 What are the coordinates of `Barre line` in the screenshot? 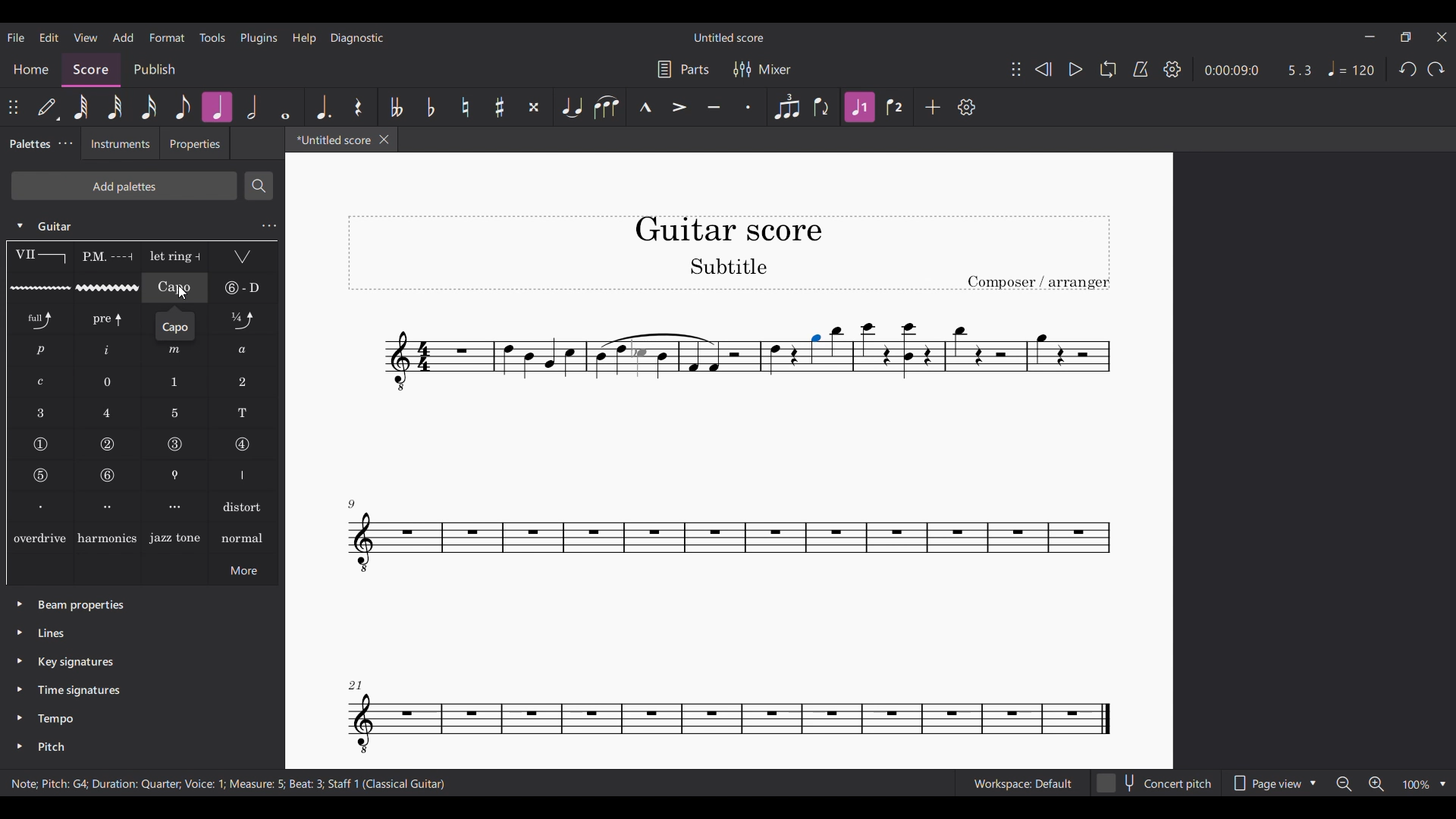 It's located at (40, 257).